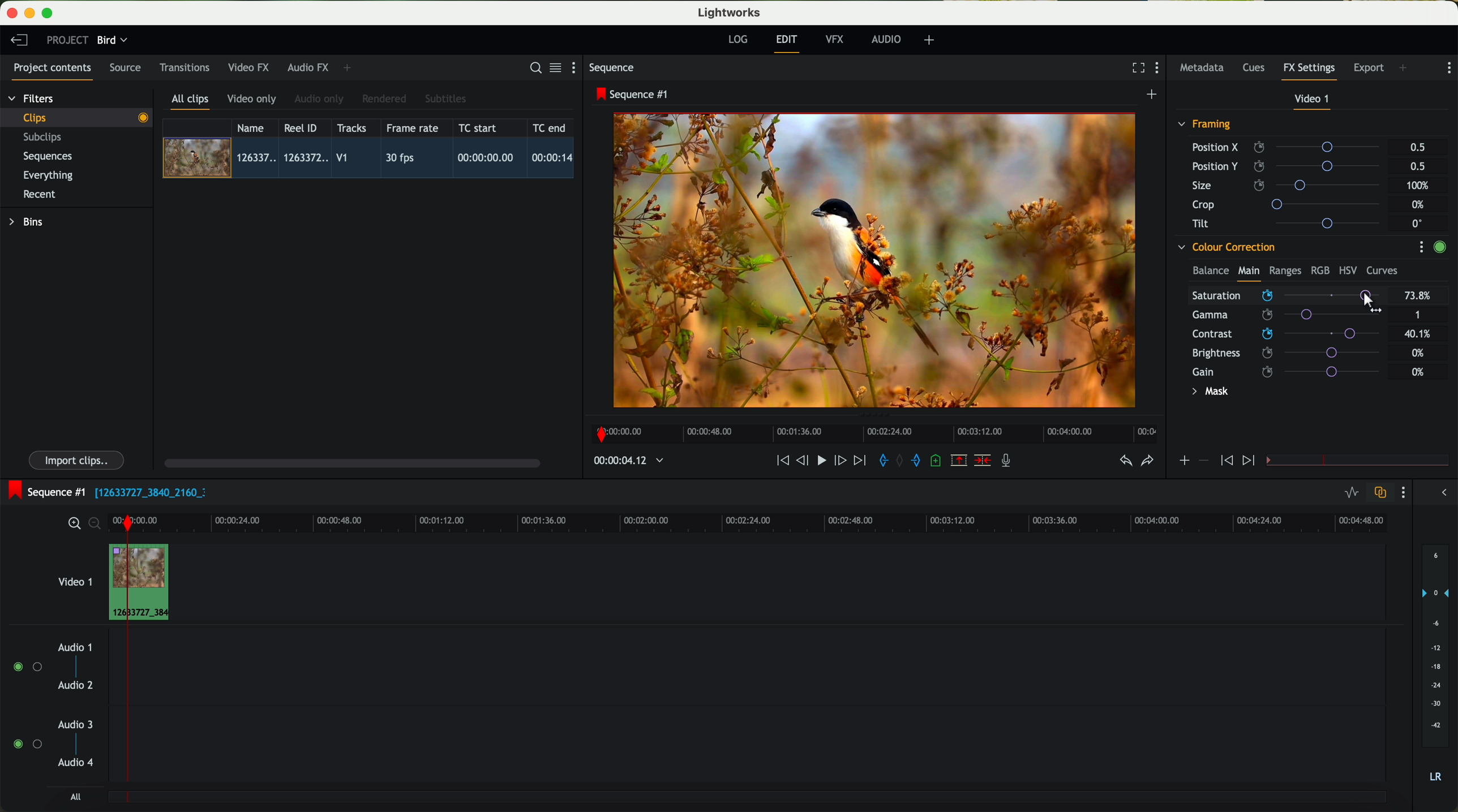 Image resolution: width=1458 pixels, height=812 pixels. What do you see at coordinates (184, 67) in the screenshot?
I see `transitions` at bounding box center [184, 67].